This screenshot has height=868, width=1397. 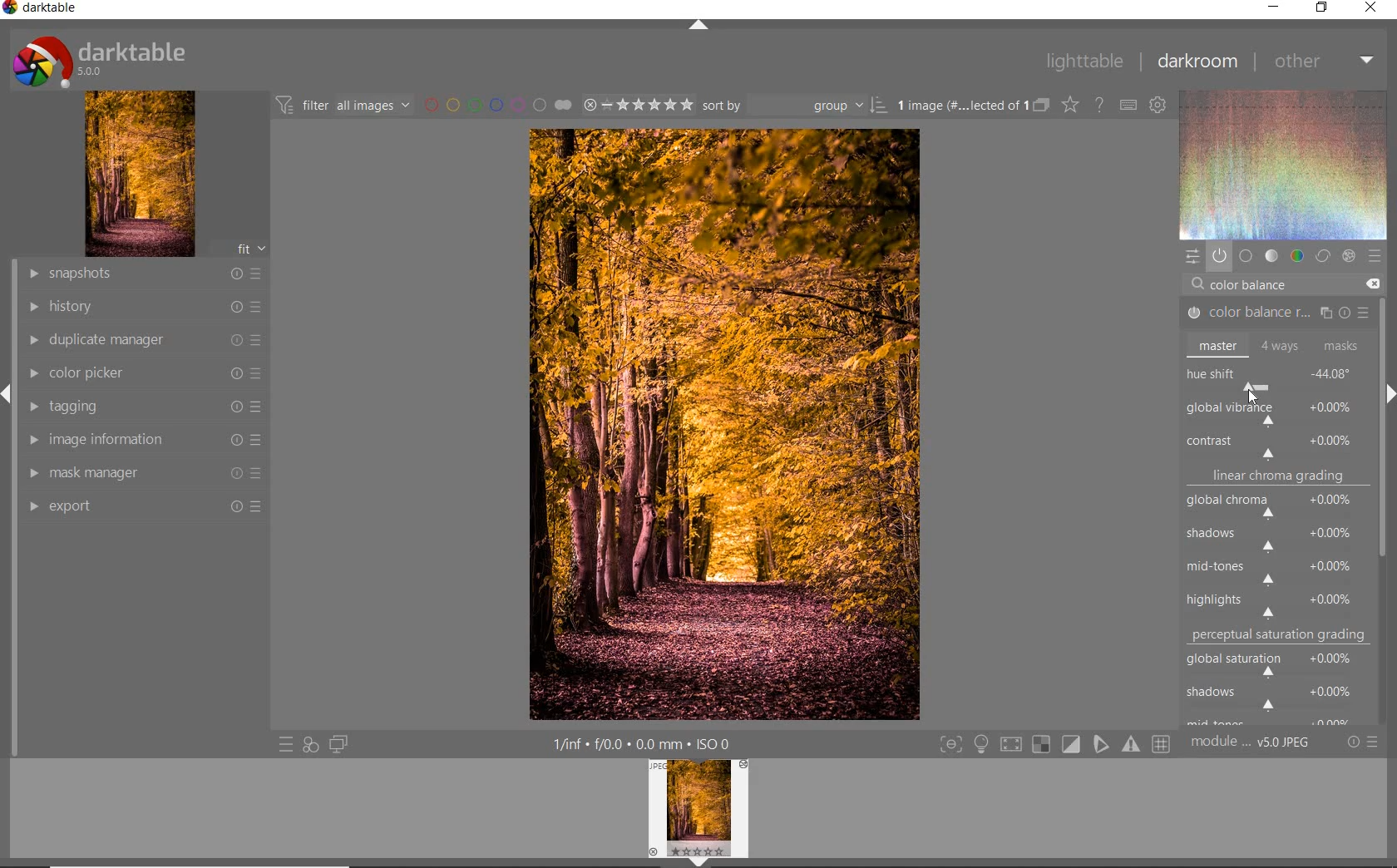 What do you see at coordinates (1101, 105) in the screenshot?
I see `enable for online help` at bounding box center [1101, 105].